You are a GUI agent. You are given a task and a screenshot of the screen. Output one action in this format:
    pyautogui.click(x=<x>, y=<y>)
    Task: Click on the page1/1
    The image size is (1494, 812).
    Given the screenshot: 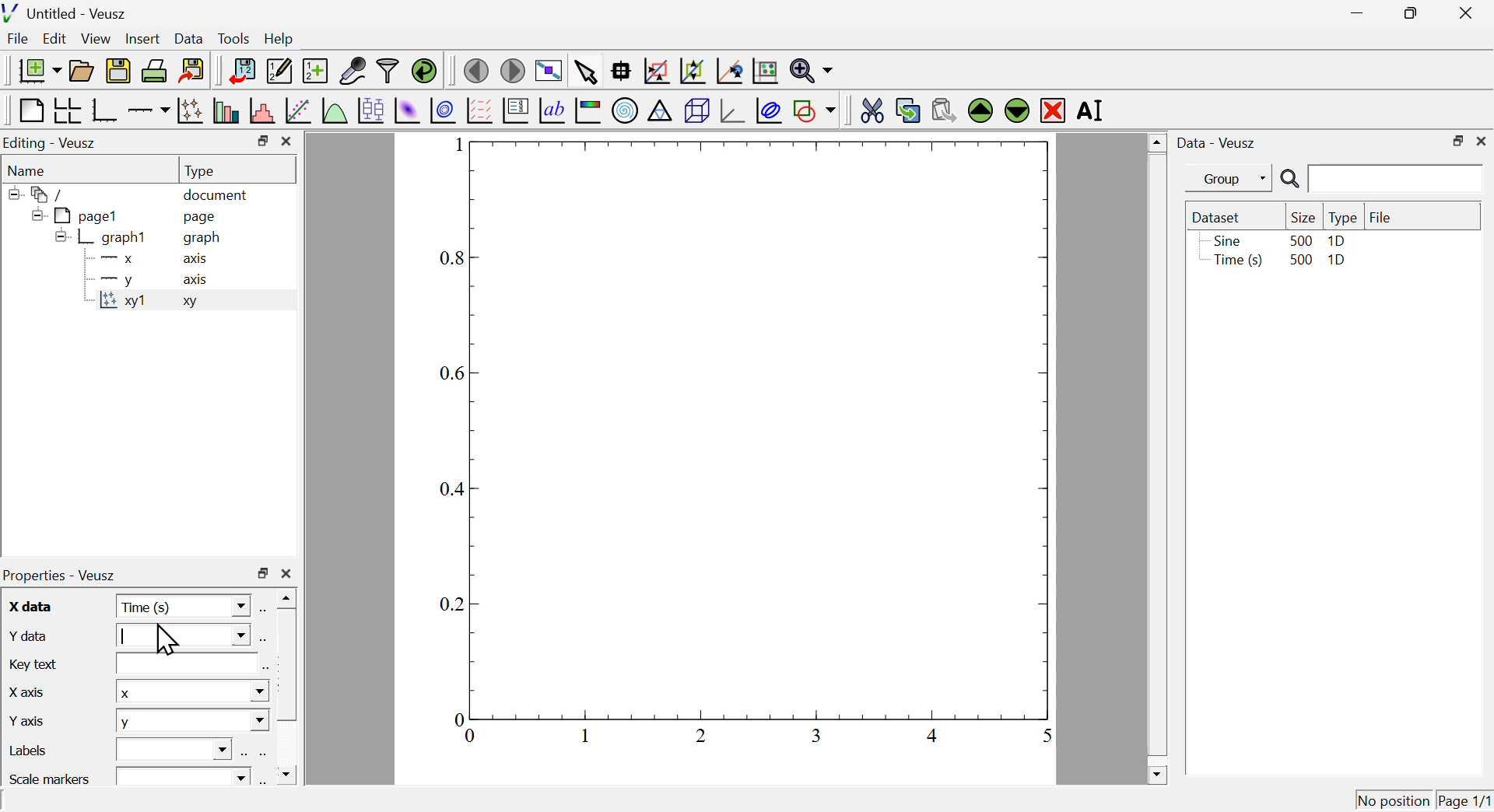 What is the action you would take?
    pyautogui.click(x=1465, y=797)
    